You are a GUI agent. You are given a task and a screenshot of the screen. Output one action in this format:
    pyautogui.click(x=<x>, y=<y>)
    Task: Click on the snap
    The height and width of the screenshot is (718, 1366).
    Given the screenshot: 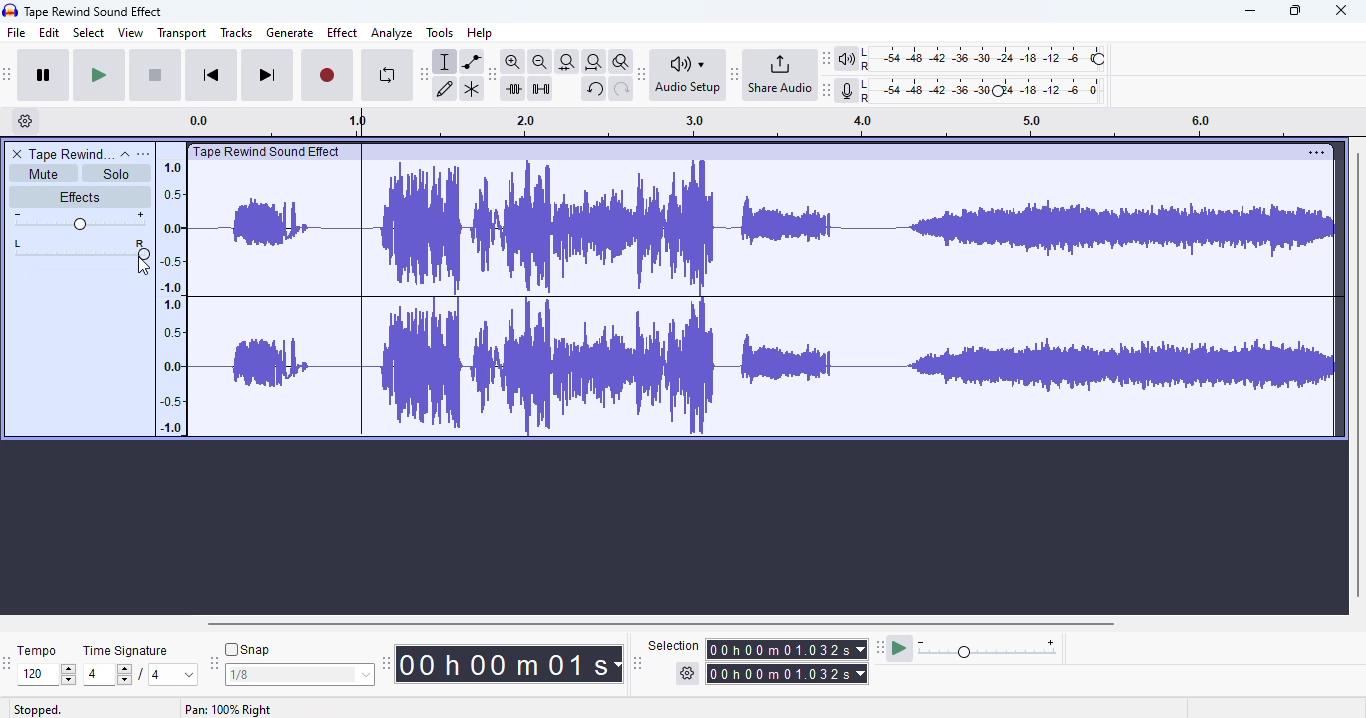 What is the action you would take?
    pyautogui.click(x=247, y=649)
    